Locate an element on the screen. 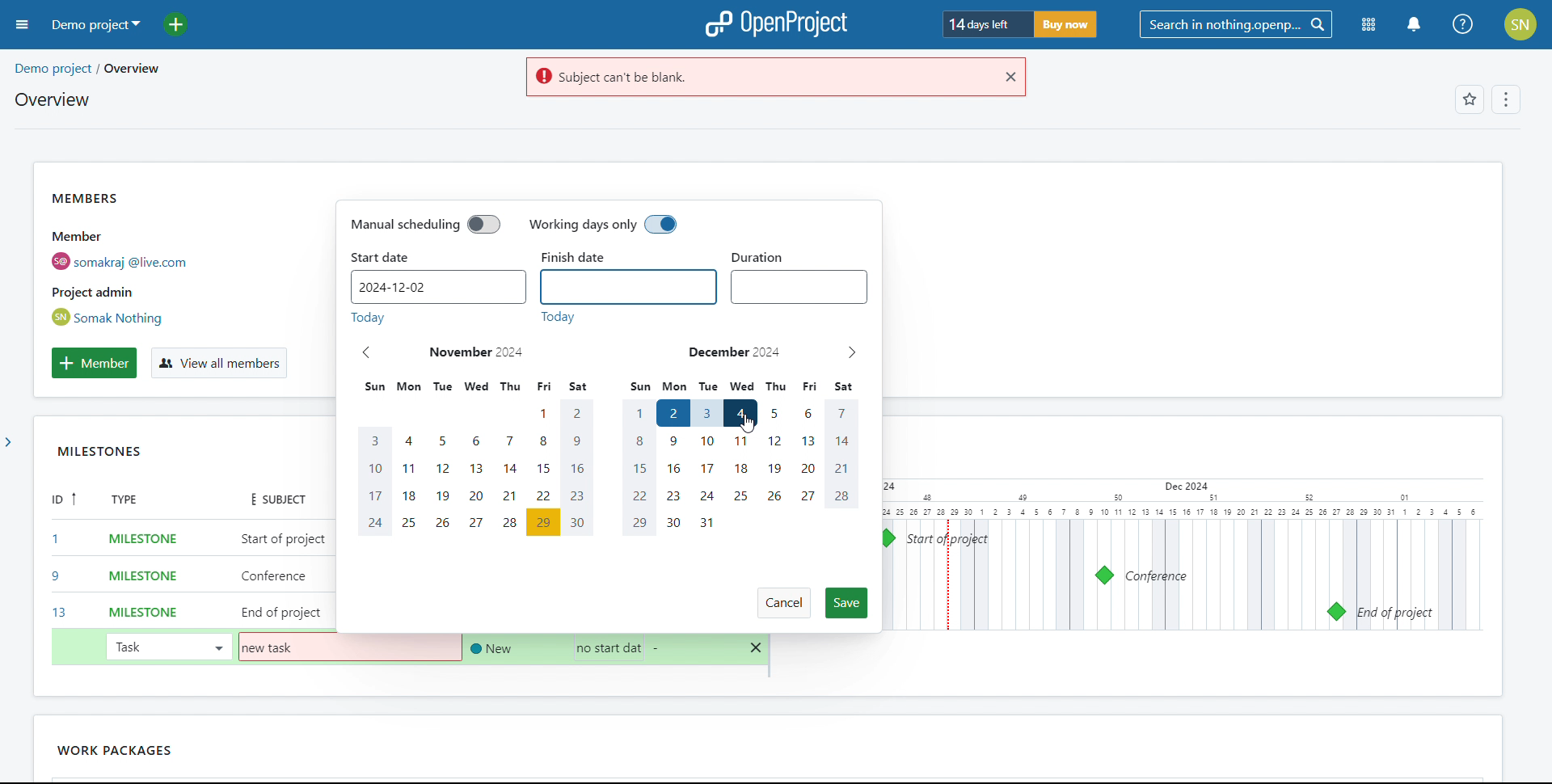 The image size is (1552, 784). logo is located at coordinates (776, 24).